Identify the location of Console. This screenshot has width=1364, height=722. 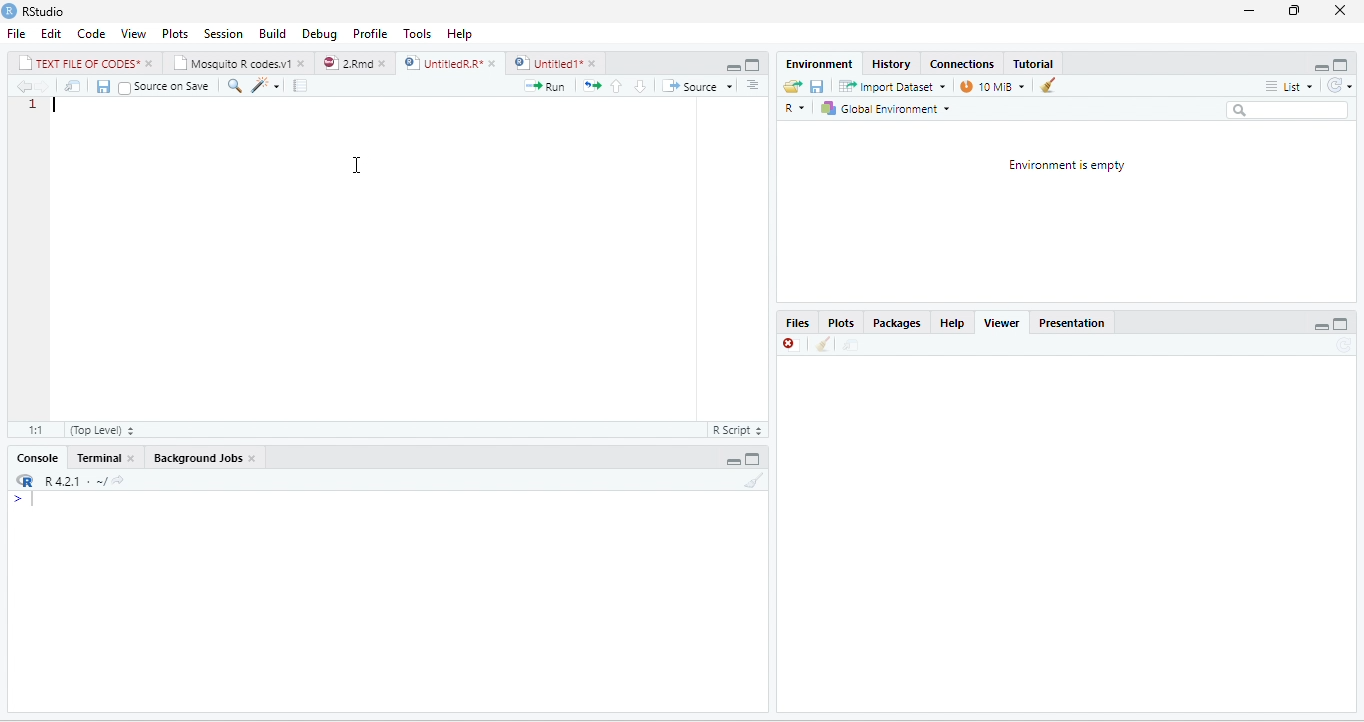
(34, 458).